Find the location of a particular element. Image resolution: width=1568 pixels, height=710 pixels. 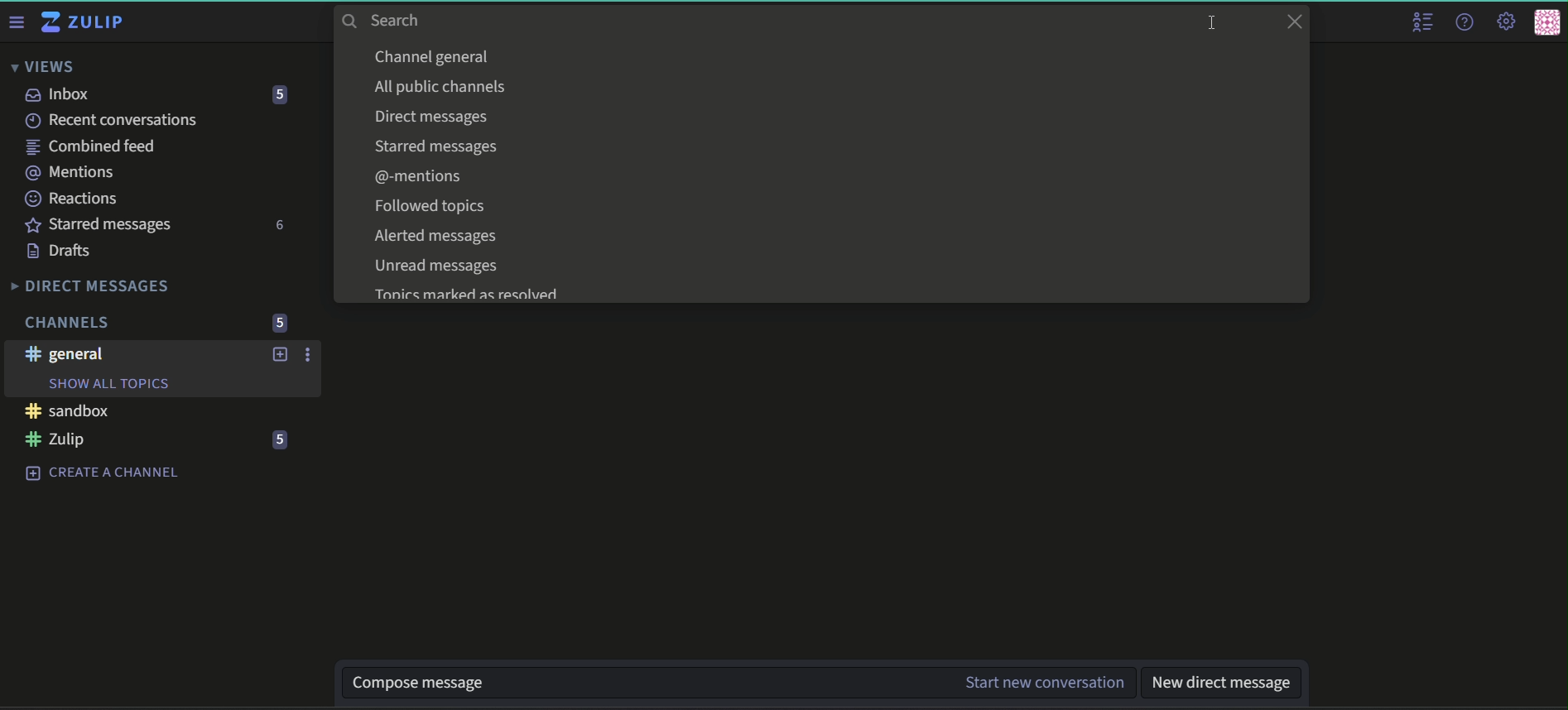

number is located at coordinates (281, 226).